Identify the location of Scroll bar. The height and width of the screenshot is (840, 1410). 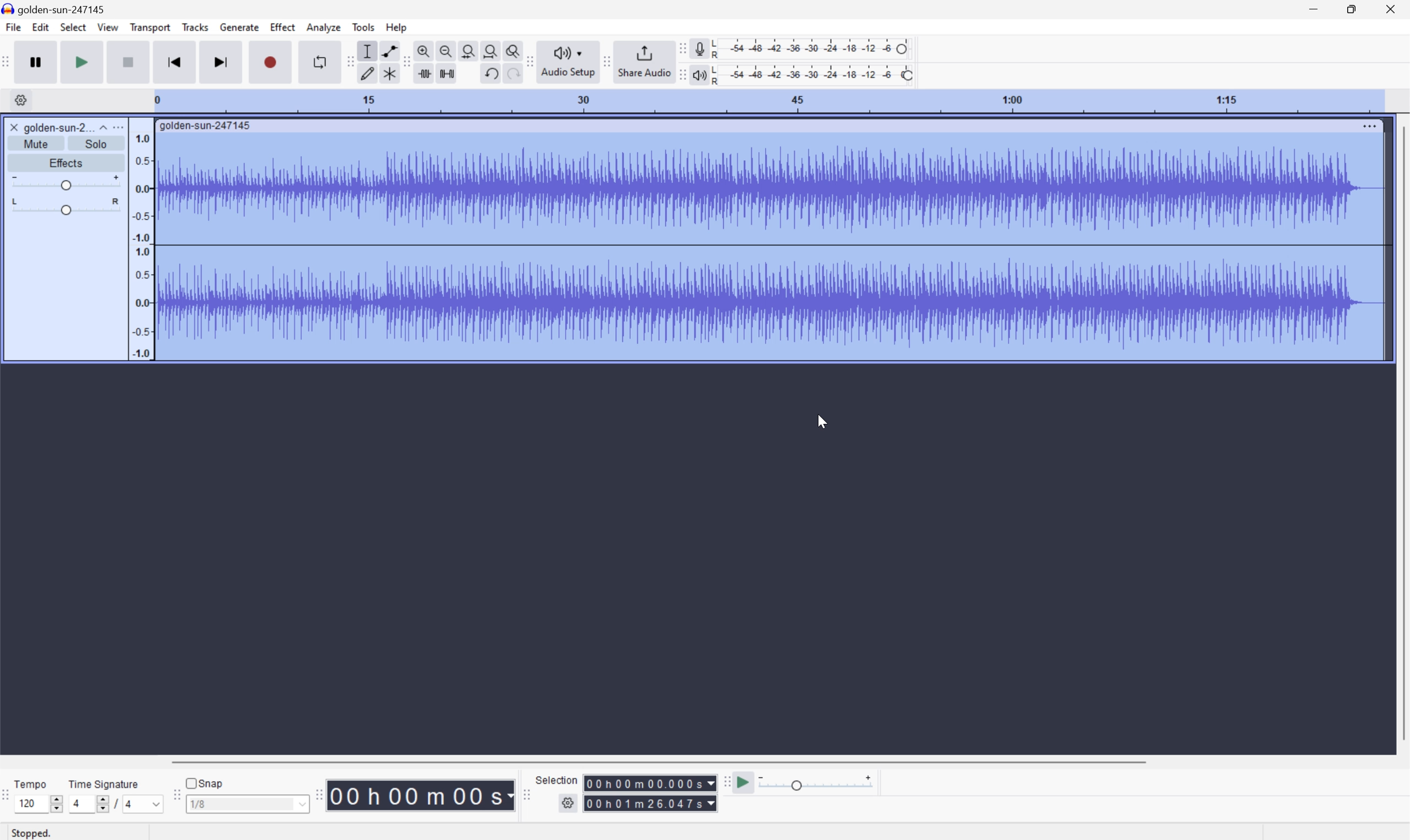
(665, 760).